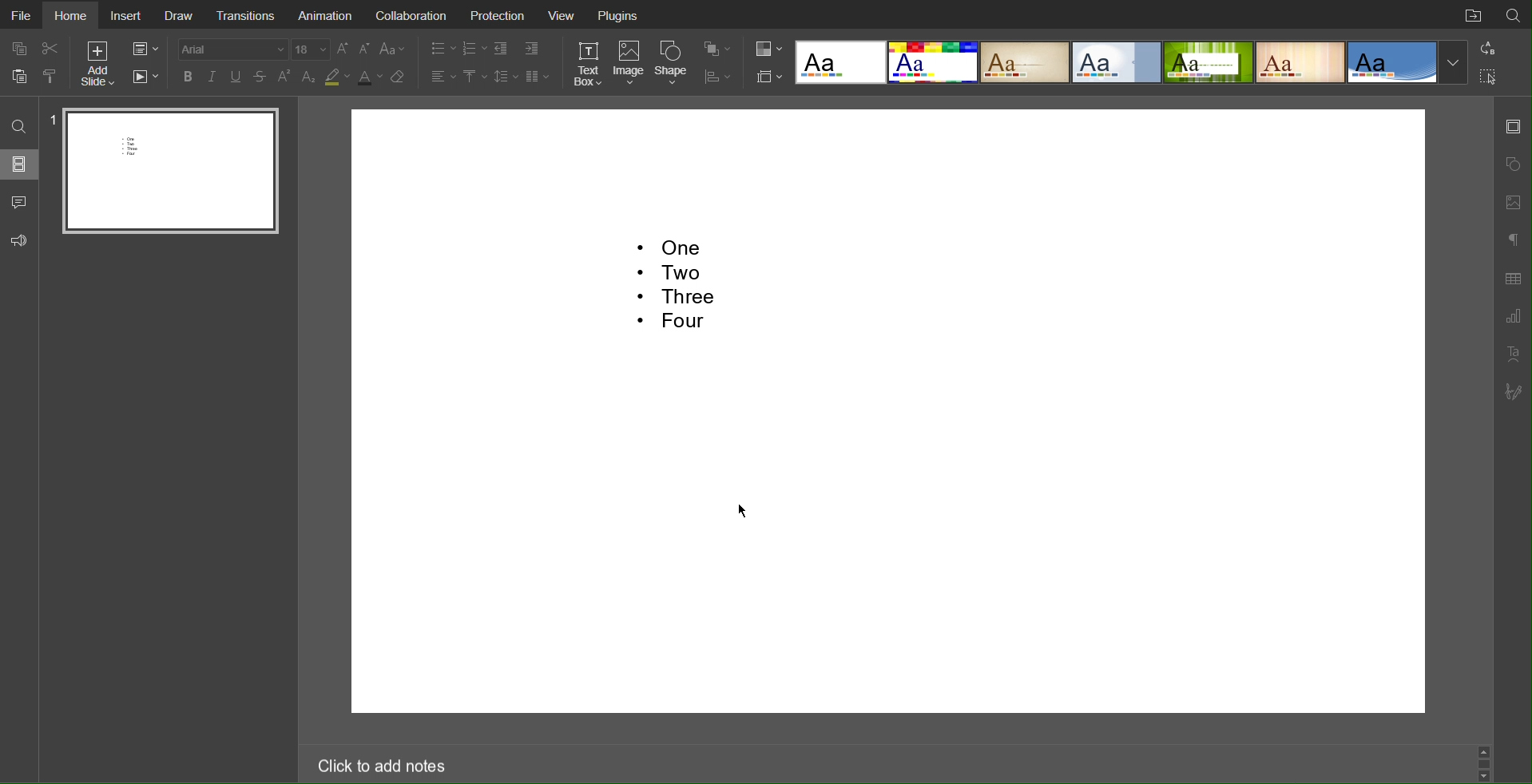 This screenshot has width=1532, height=784. Describe the element at coordinates (474, 49) in the screenshot. I see `Numbered List` at that location.